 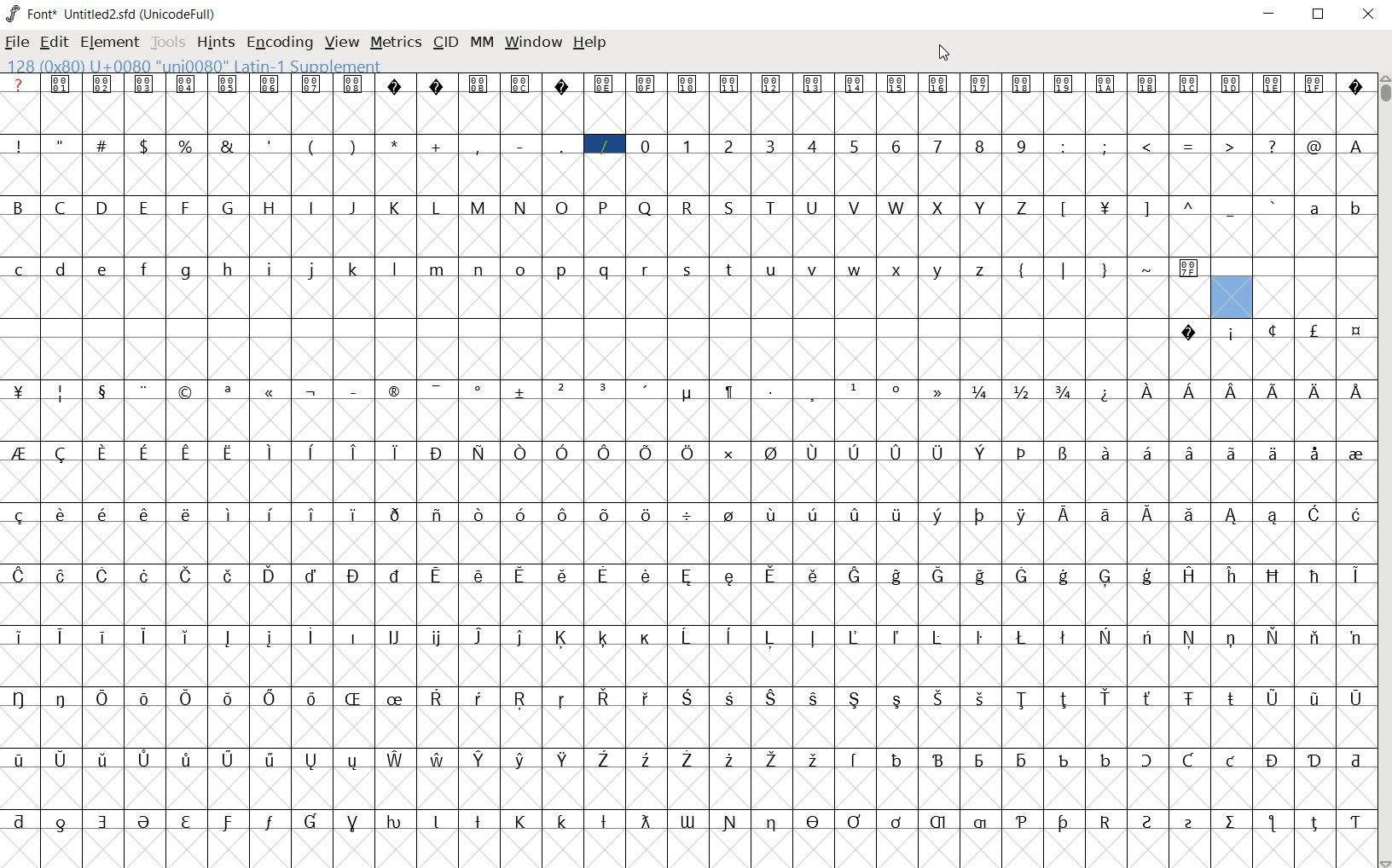 I want to click on glyph, so click(x=61, y=698).